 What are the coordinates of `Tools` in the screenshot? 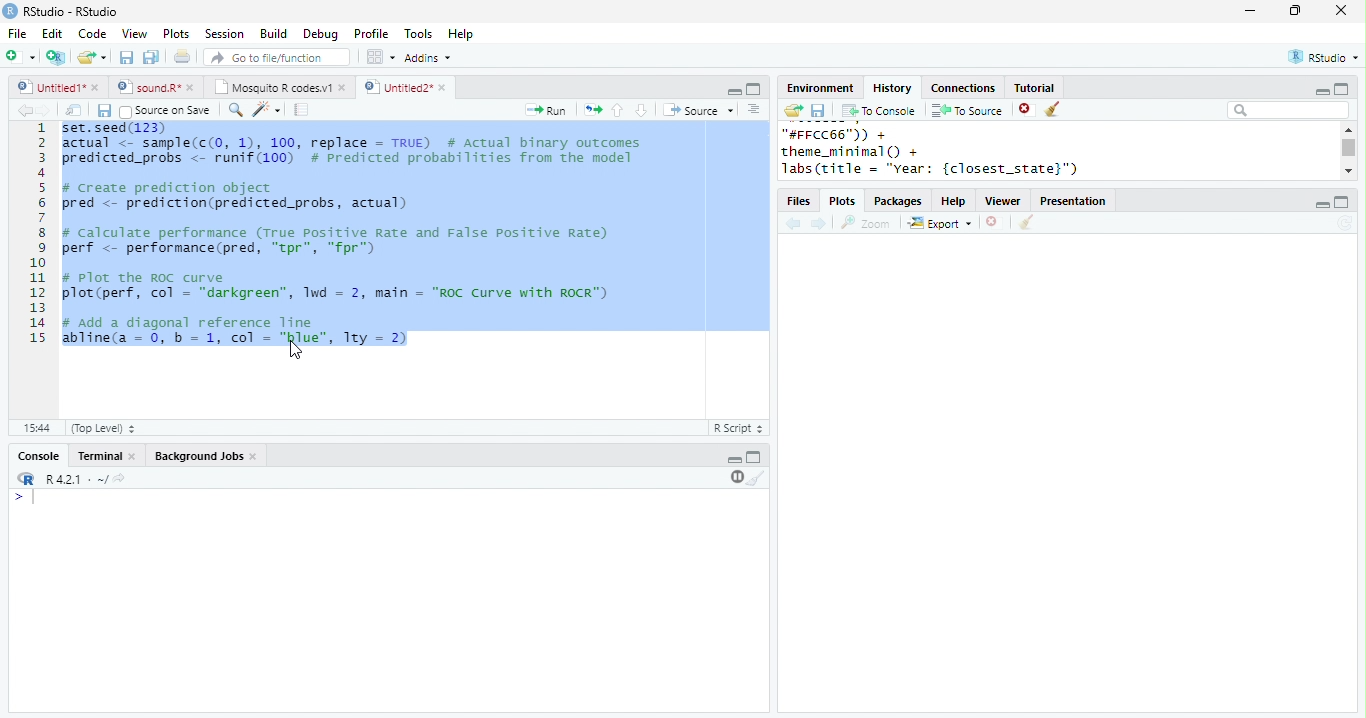 It's located at (419, 34).